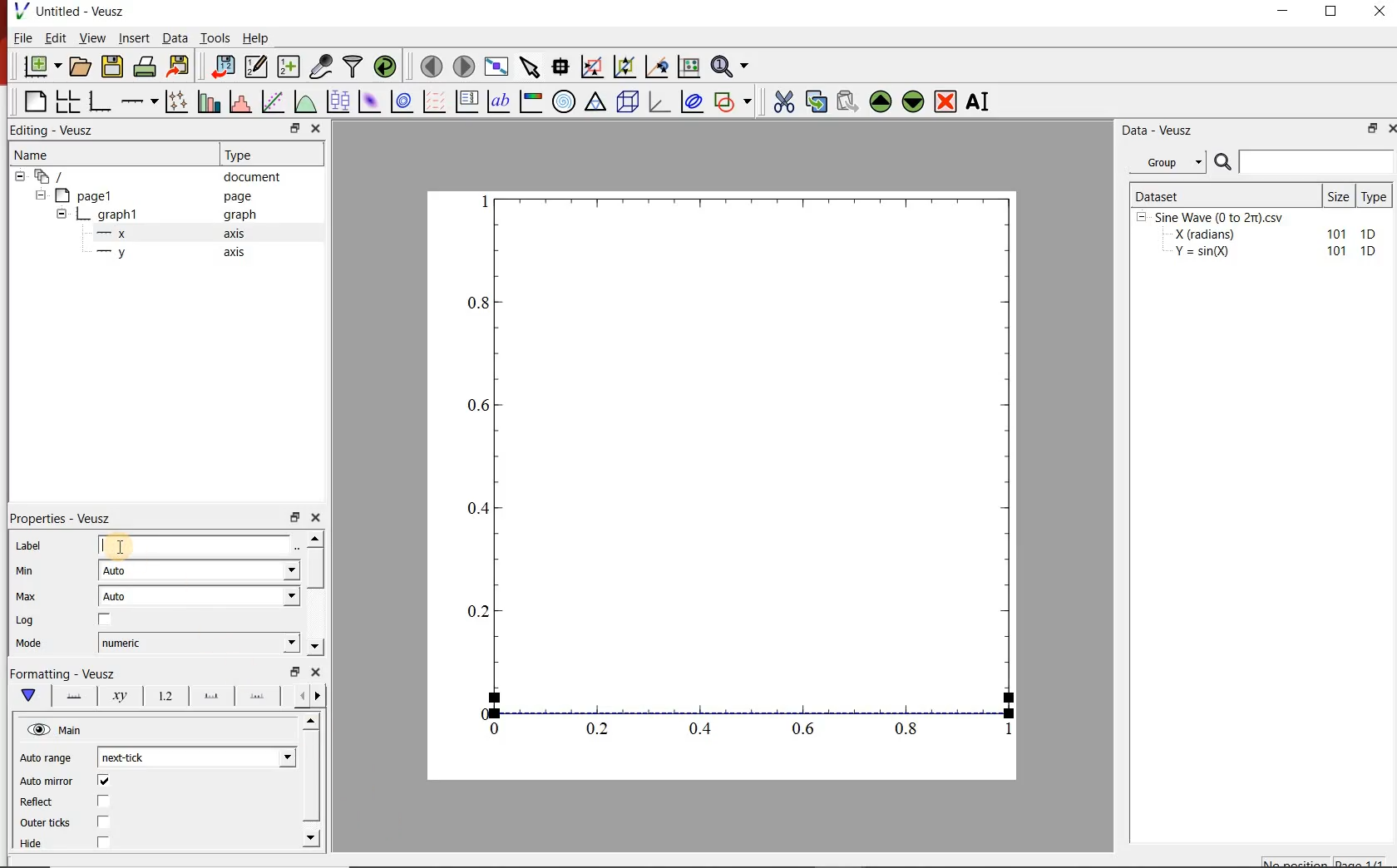  I want to click on copy, so click(816, 100).